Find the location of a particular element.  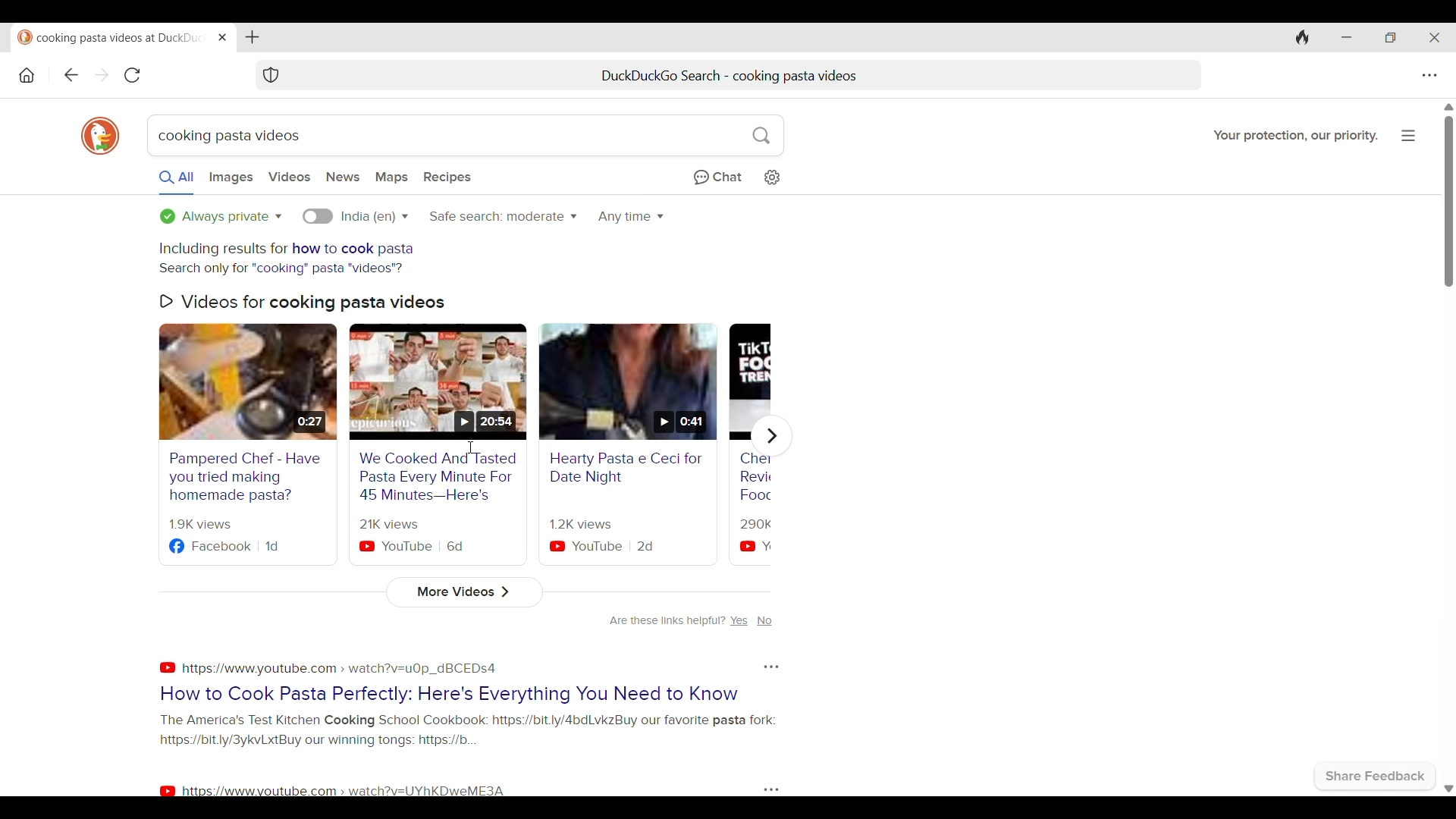

Healthy pasta e ceci date night is located at coordinates (629, 442).